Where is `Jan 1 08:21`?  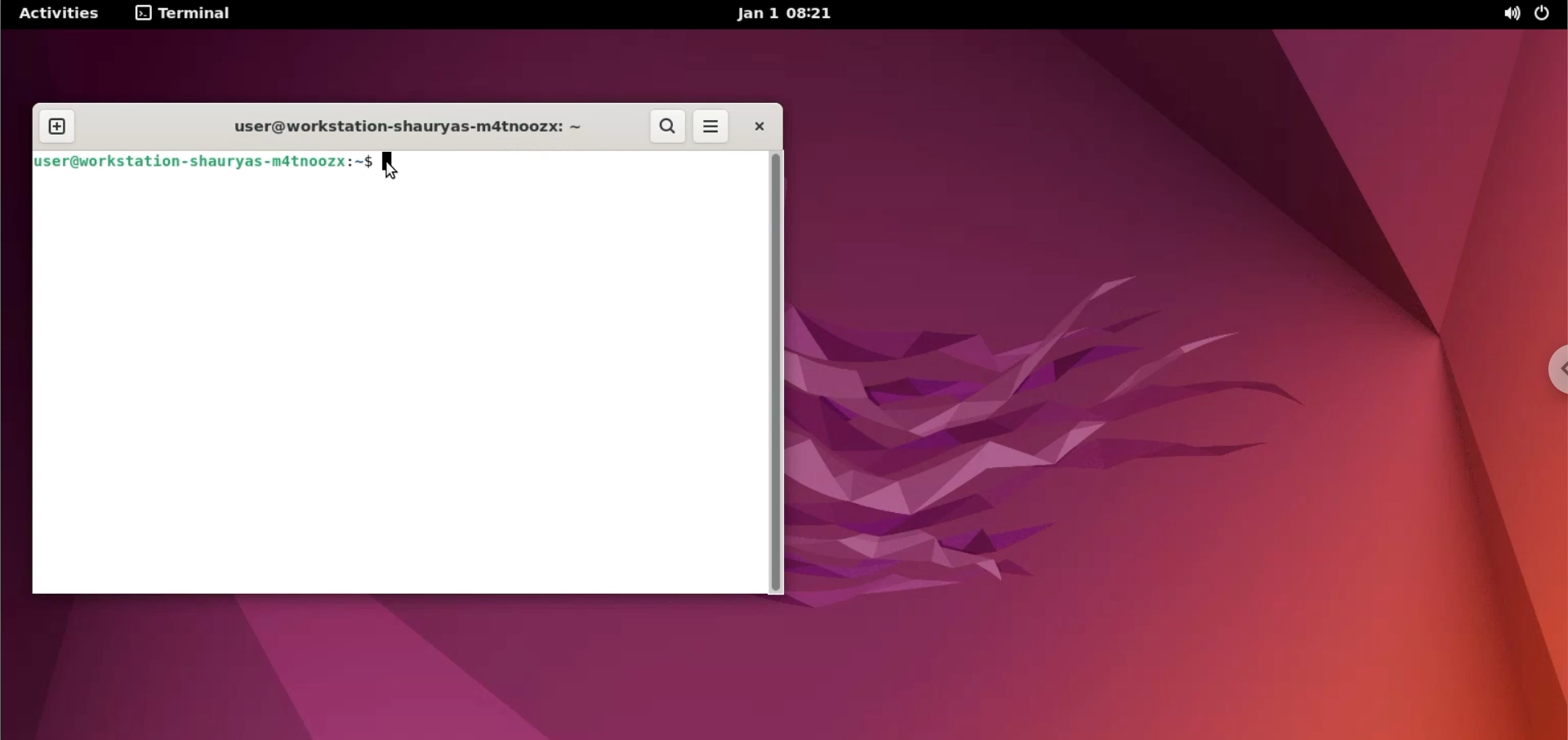
Jan 1 08:21 is located at coordinates (783, 14).